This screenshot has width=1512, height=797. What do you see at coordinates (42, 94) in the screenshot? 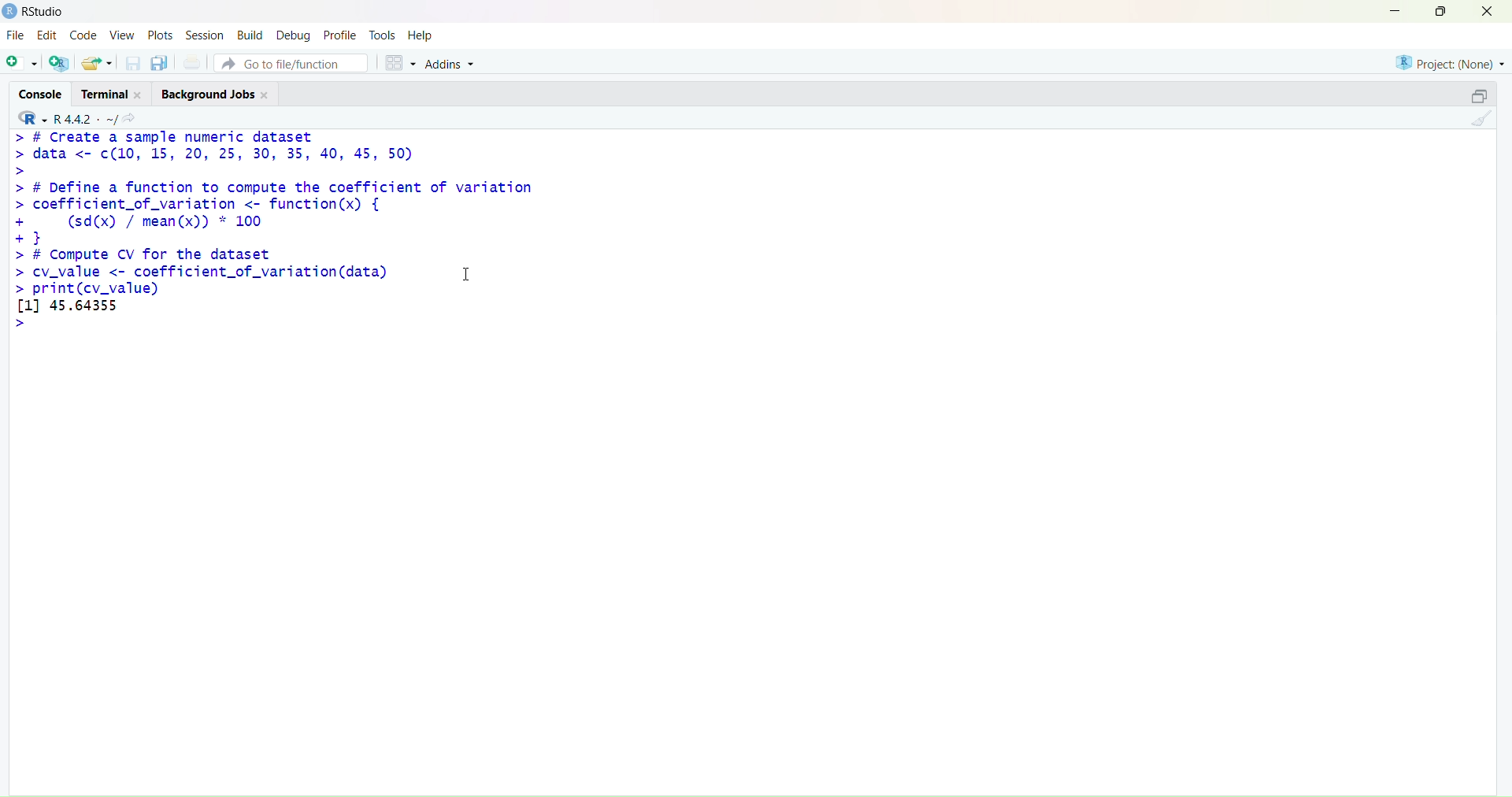
I see `console` at bounding box center [42, 94].